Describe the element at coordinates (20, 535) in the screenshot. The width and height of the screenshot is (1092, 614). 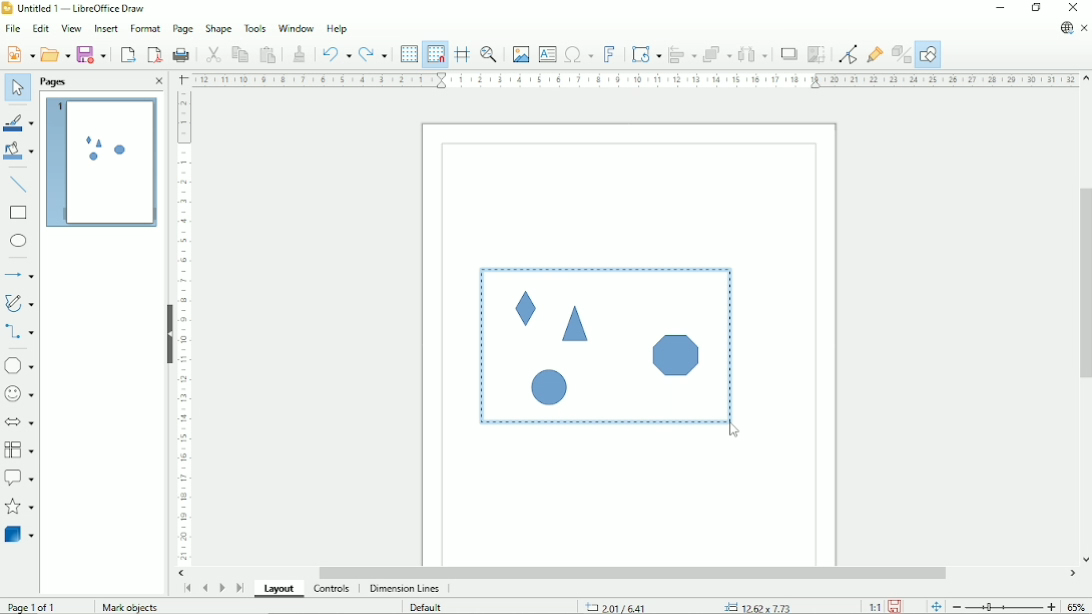
I see `3 D Objects` at that location.